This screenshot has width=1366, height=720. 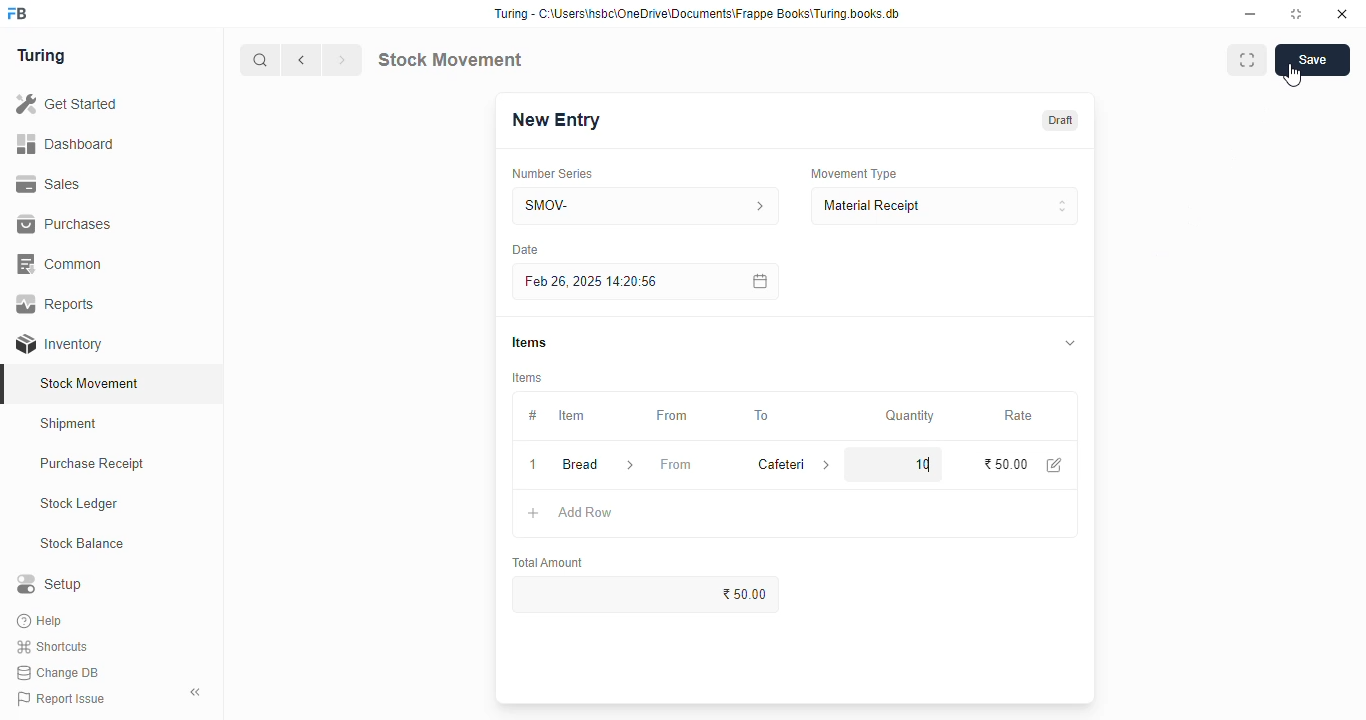 What do you see at coordinates (1342, 14) in the screenshot?
I see `close` at bounding box center [1342, 14].